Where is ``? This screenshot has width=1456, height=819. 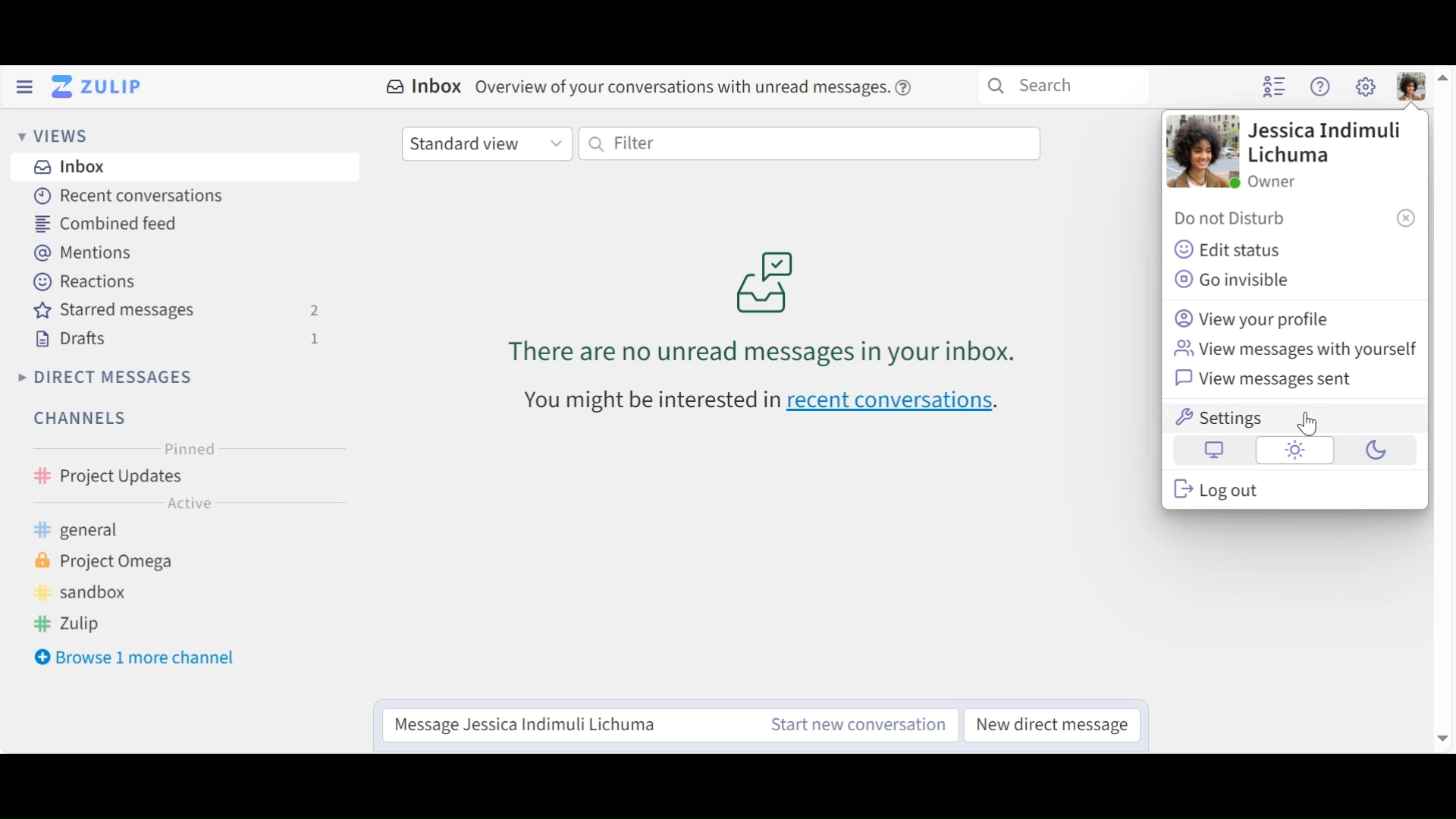  is located at coordinates (1053, 726).